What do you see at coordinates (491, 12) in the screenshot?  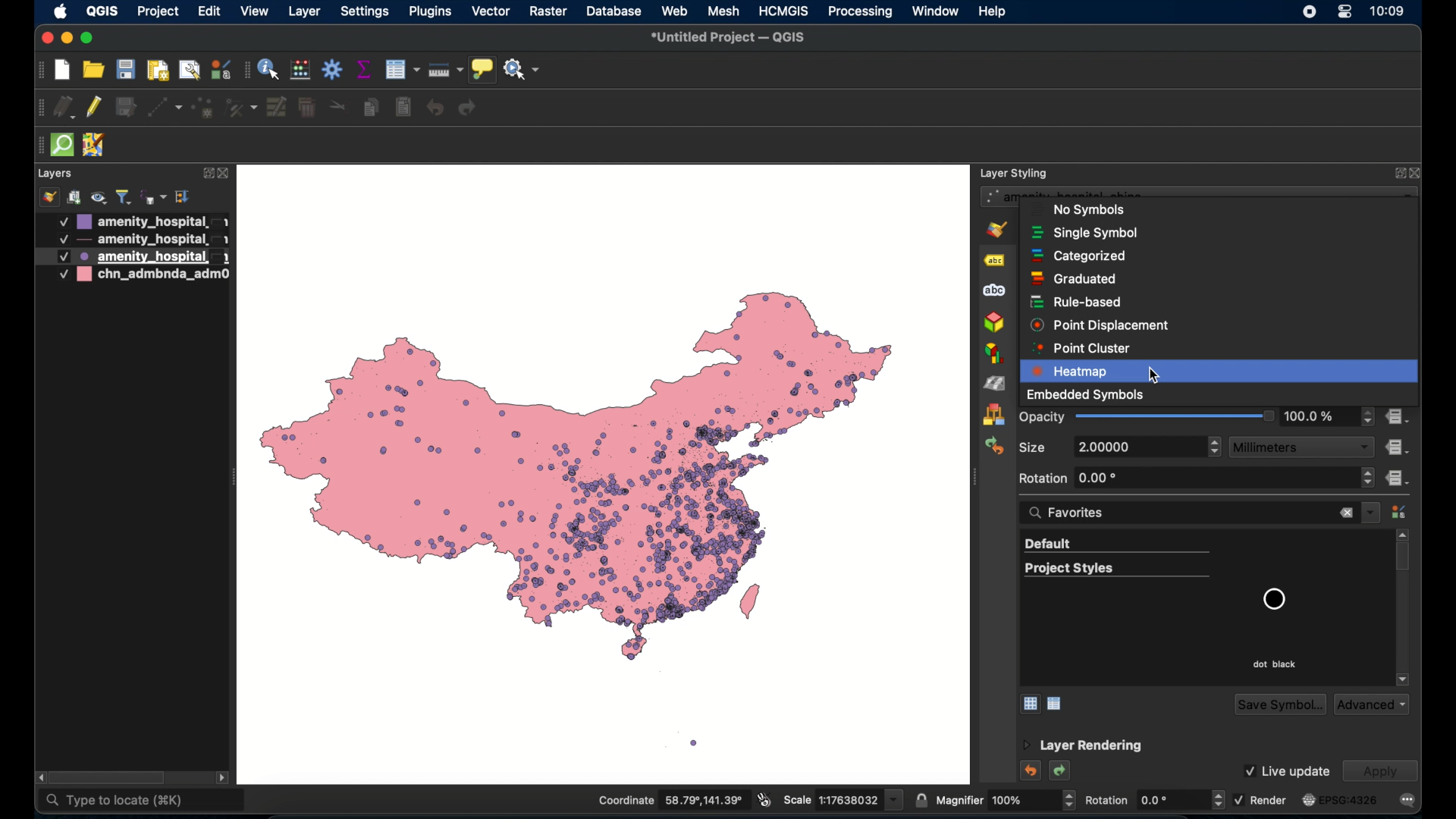 I see `vector` at bounding box center [491, 12].